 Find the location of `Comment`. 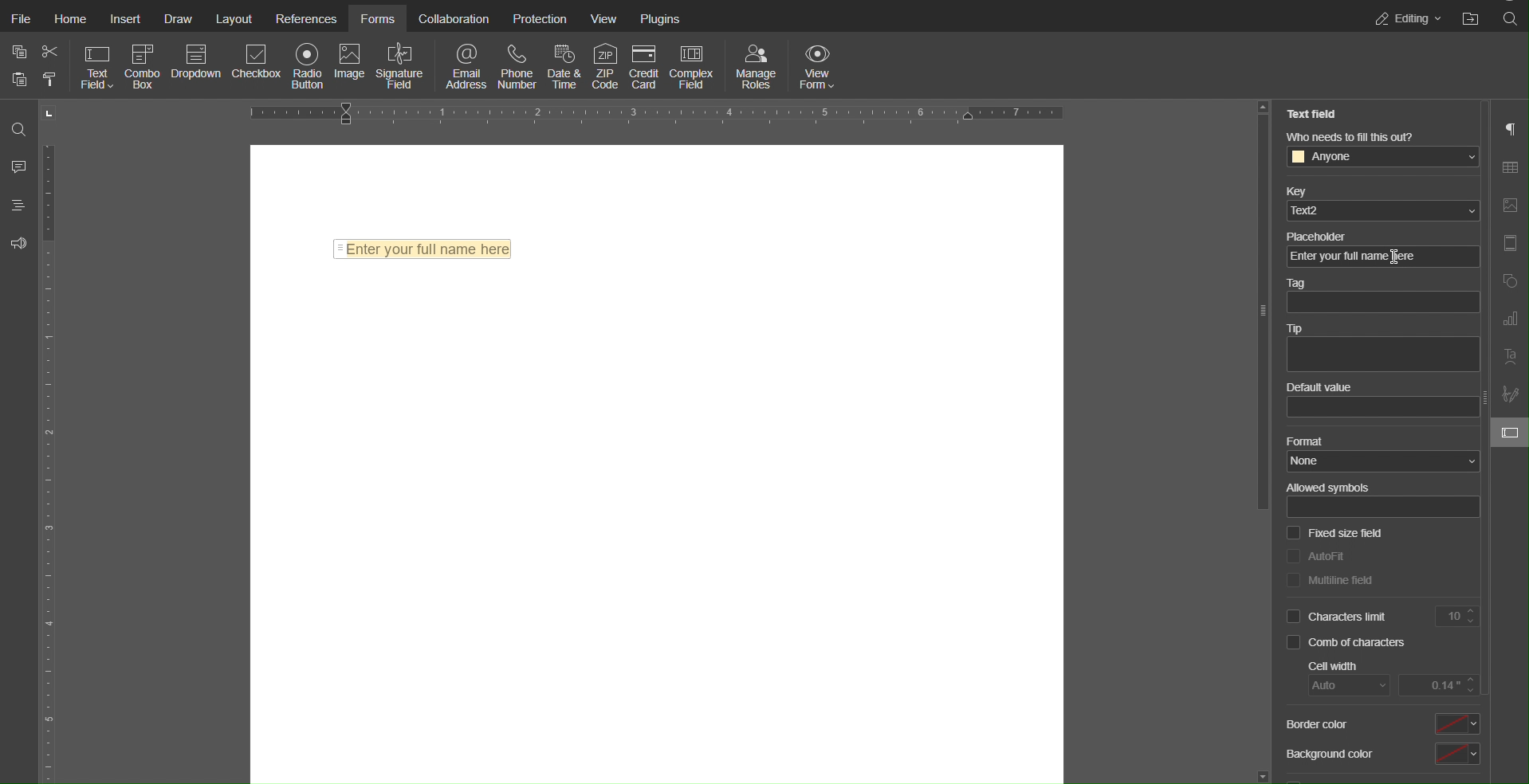

Comment is located at coordinates (19, 163).